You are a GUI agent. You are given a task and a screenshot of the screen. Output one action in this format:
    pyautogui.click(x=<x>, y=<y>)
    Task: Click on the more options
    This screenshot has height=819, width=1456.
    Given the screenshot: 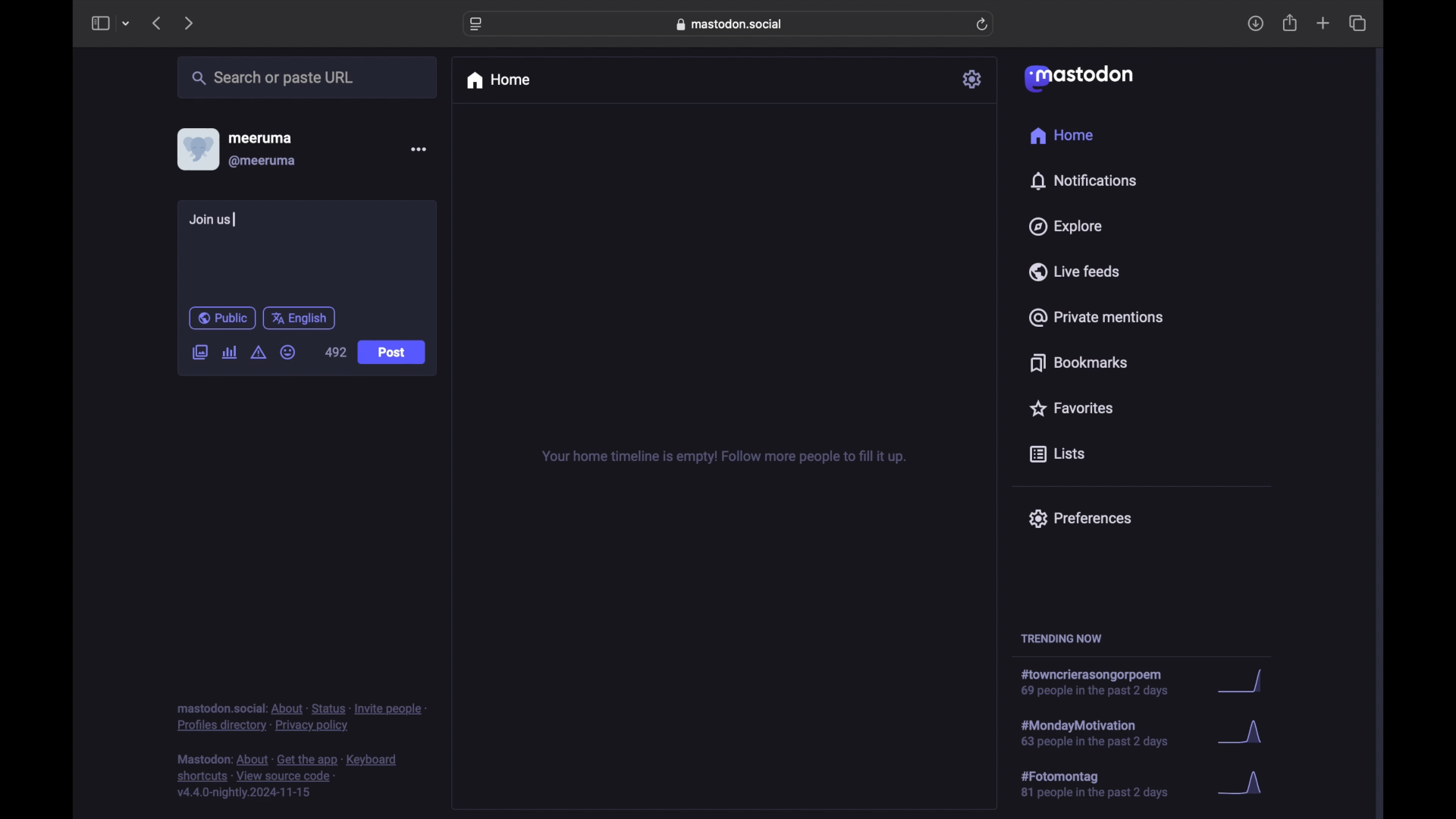 What is the action you would take?
    pyautogui.click(x=419, y=149)
    